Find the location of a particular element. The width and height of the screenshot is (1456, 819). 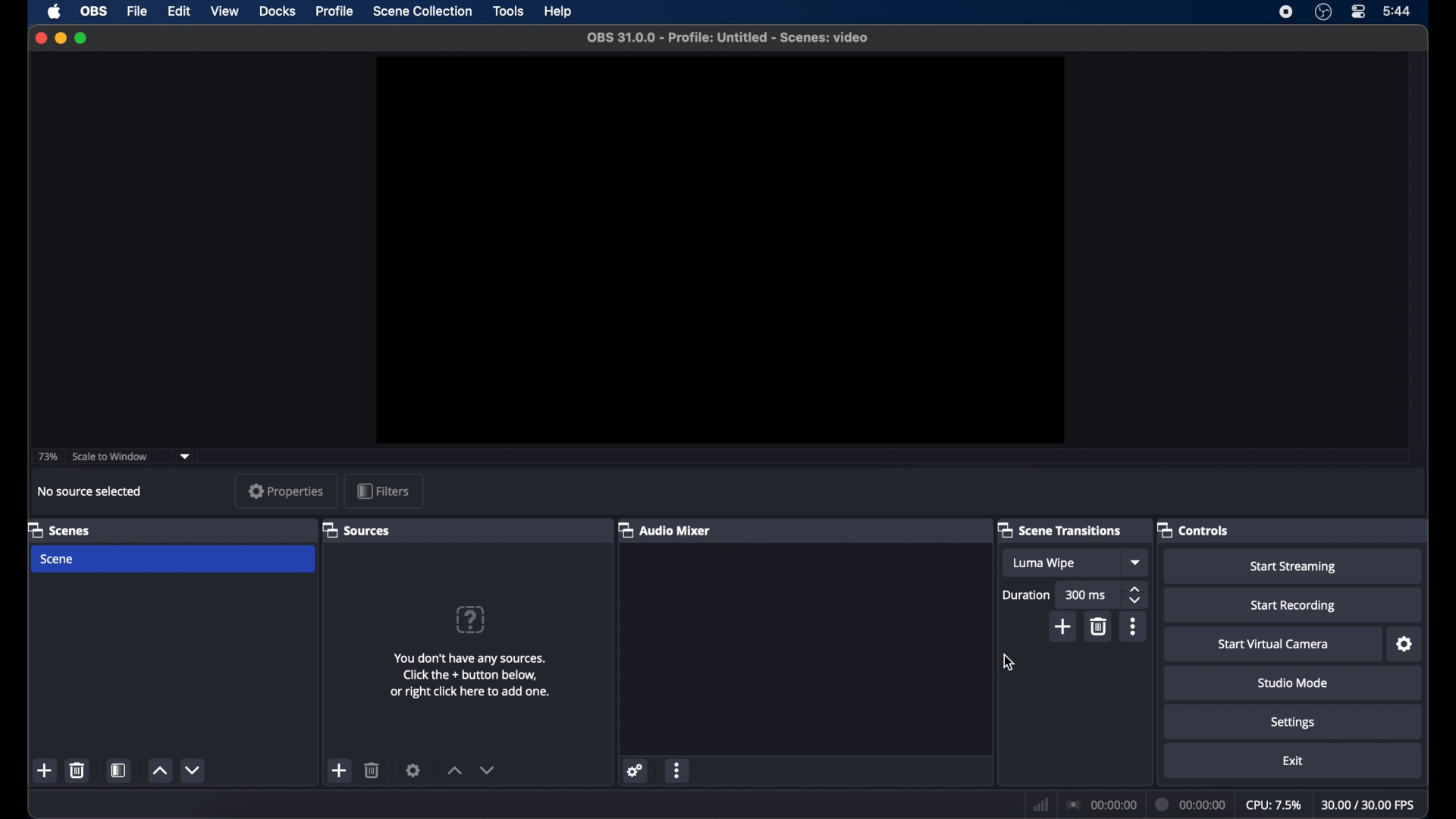

file is located at coordinates (137, 11).